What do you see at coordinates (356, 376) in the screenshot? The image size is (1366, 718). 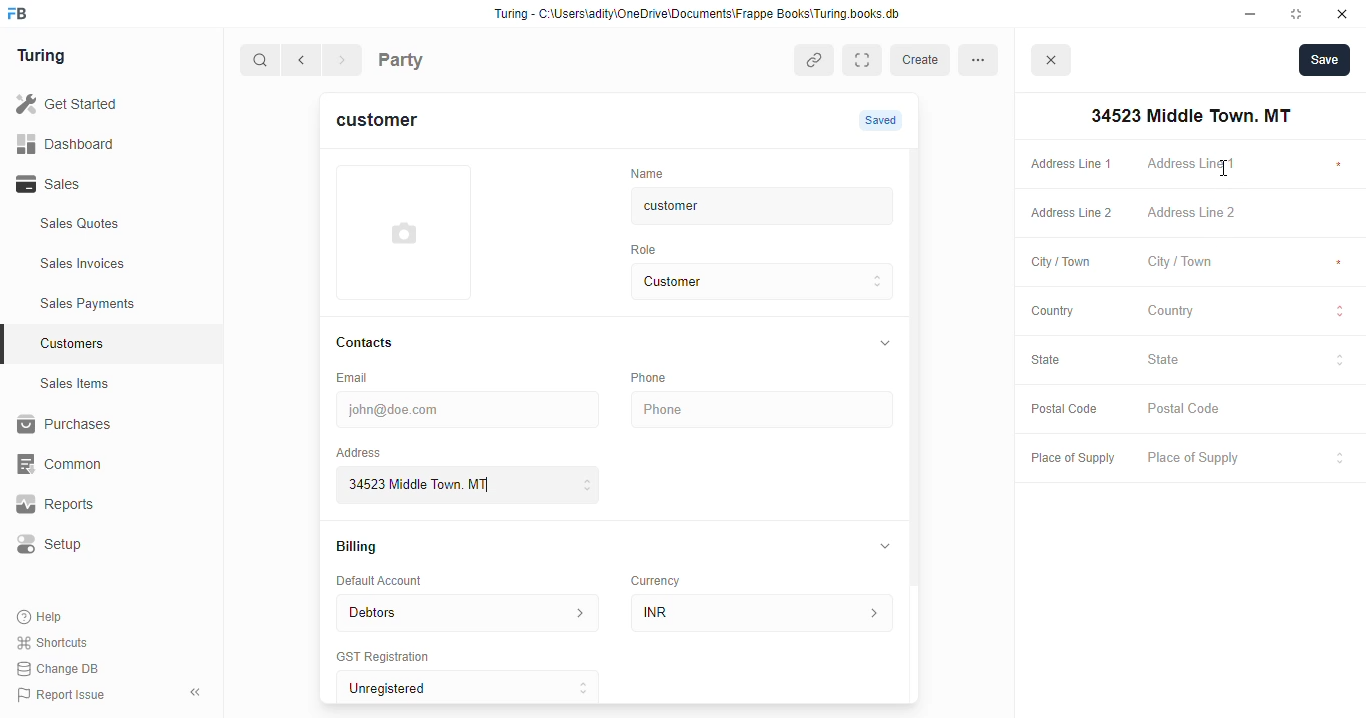 I see `Email` at bounding box center [356, 376].